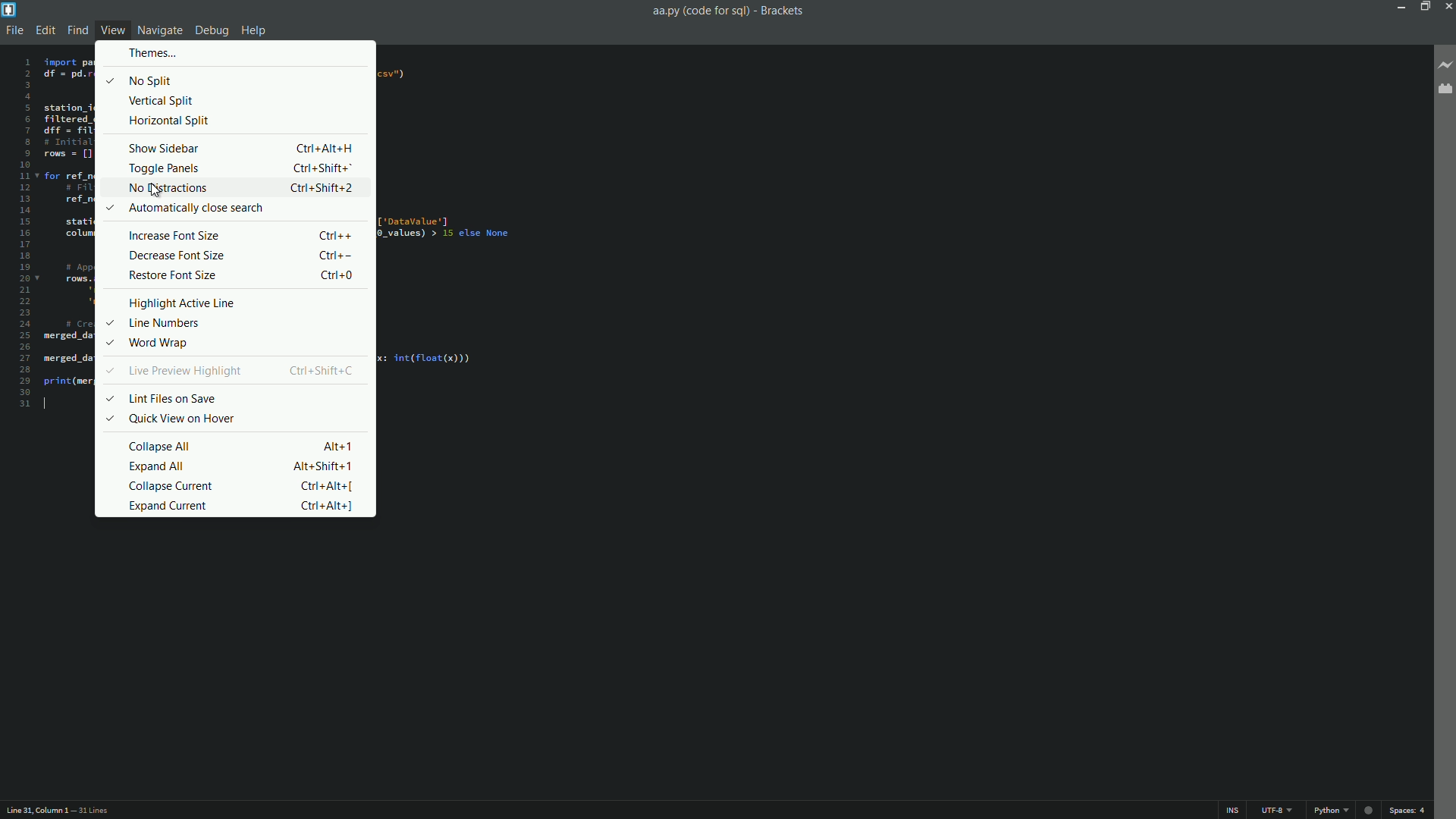 Image resolution: width=1456 pixels, height=819 pixels. Describe the element at coordinates (106, 397) in the screenshot. I see `Selected` at that location.